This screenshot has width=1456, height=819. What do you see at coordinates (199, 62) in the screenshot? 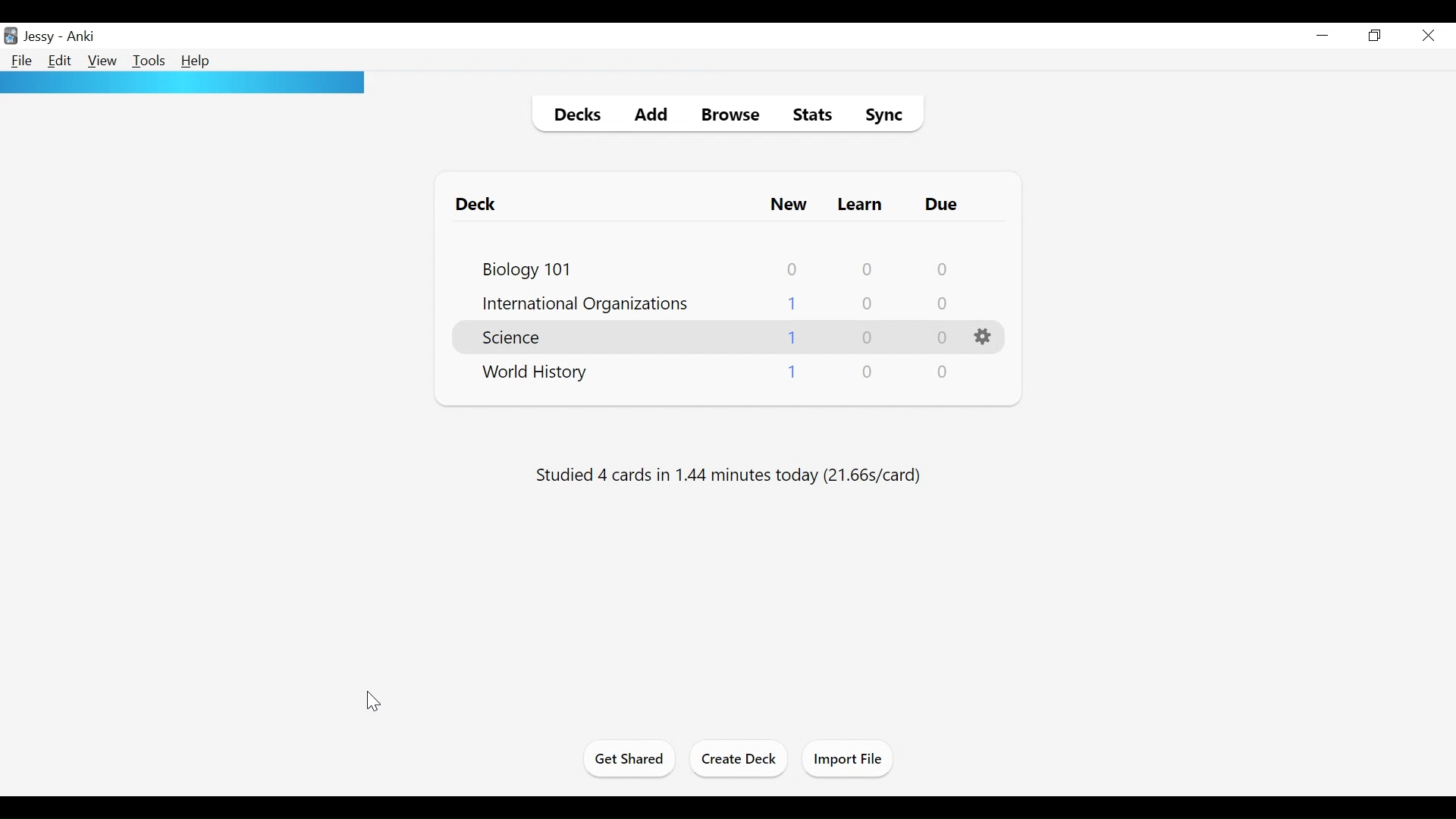
I see `Help` at bounding box center [199, 62].